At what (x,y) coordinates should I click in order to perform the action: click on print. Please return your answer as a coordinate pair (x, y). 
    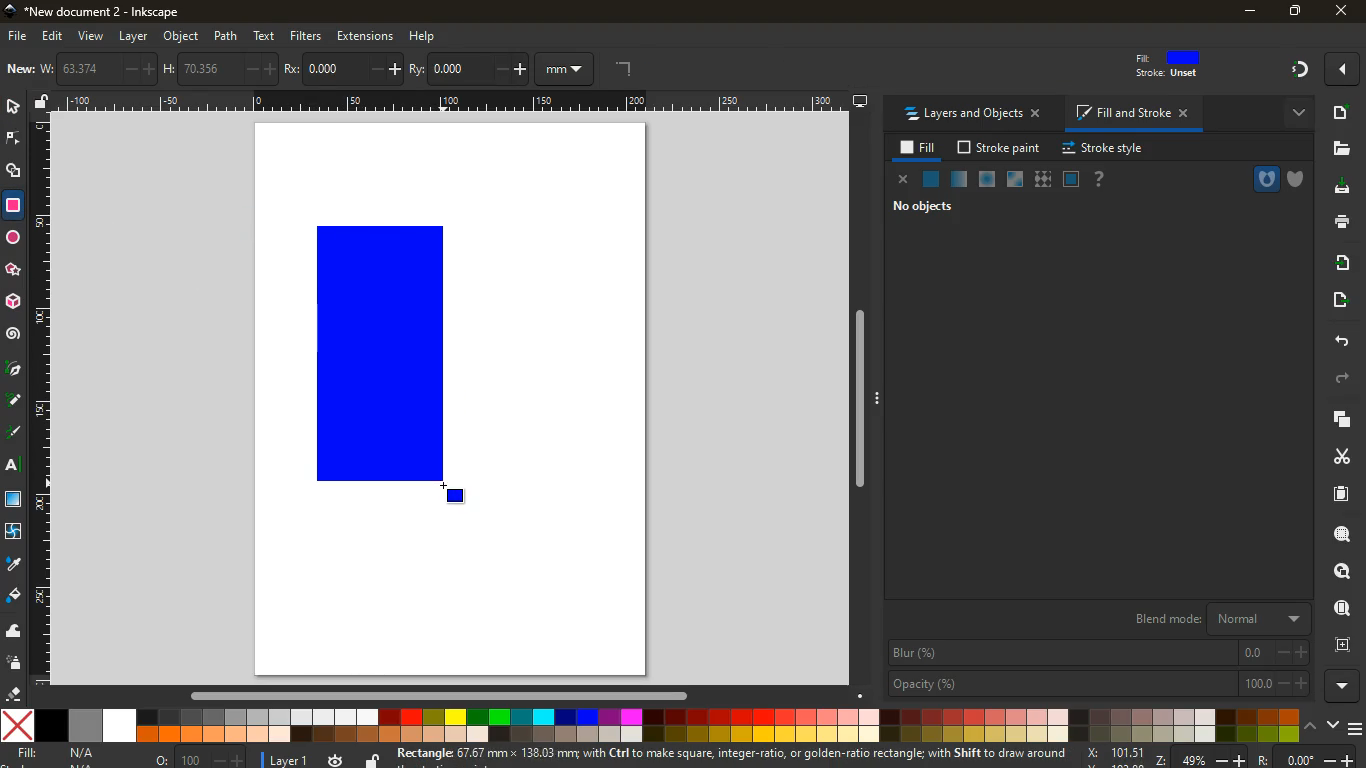
    Looking at the image, I should click on (1340, 222).